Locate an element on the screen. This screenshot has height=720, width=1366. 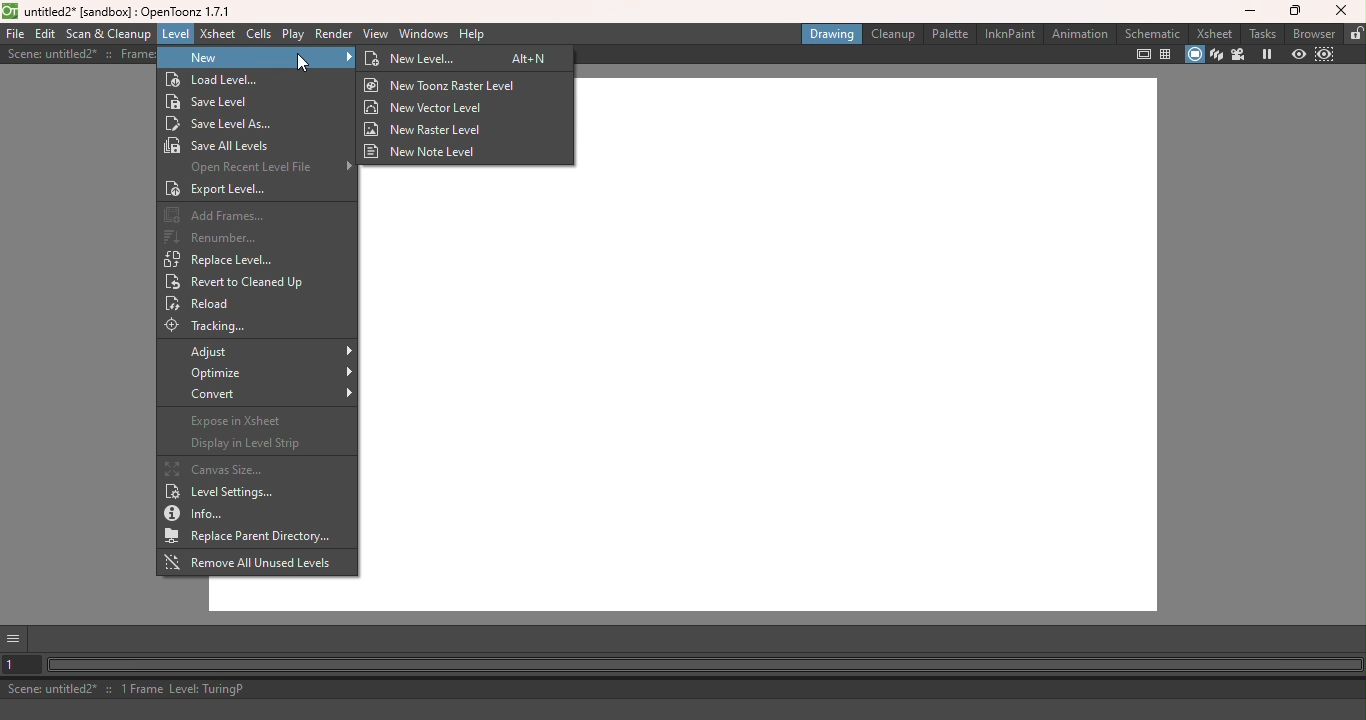
Scan & Cleanup is located at coordinates (108, 35).